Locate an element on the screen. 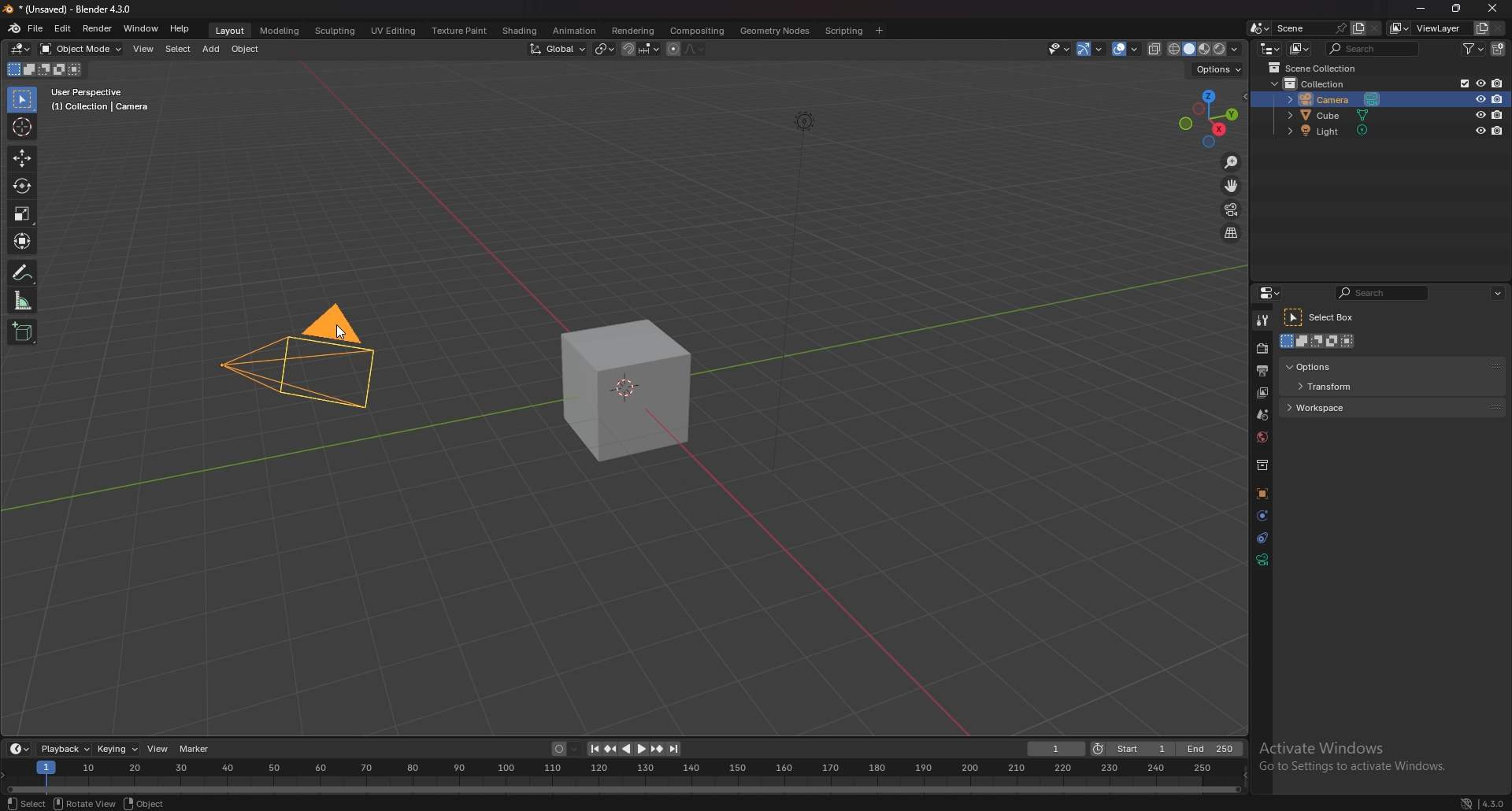 This screenshot has width=1512, height=811. mode is located at coordinates (44, 69).